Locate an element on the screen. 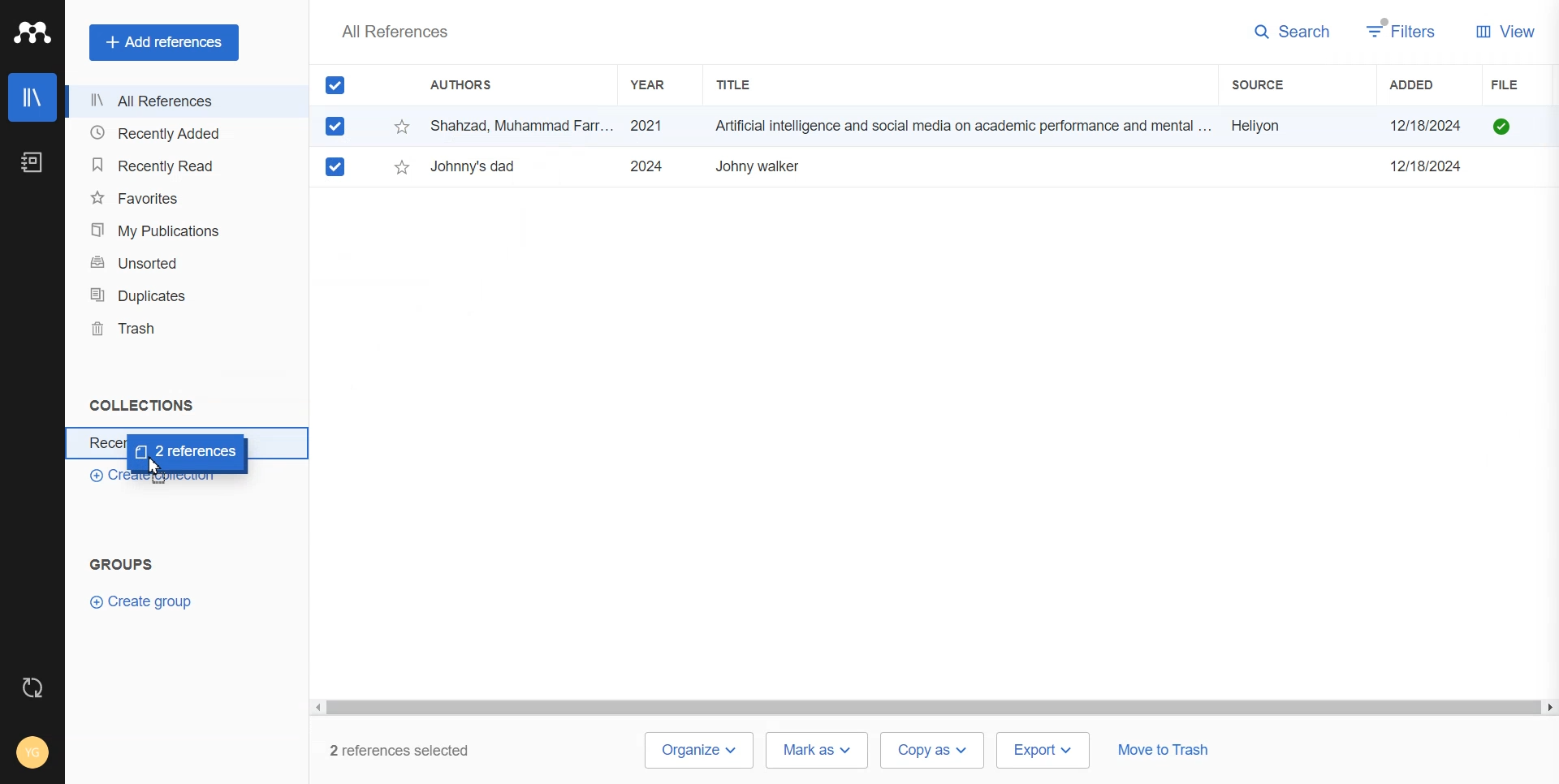 Image resolution: width=1559 pixels, height=784 pixels. Text is located at coordinates (394, 31).